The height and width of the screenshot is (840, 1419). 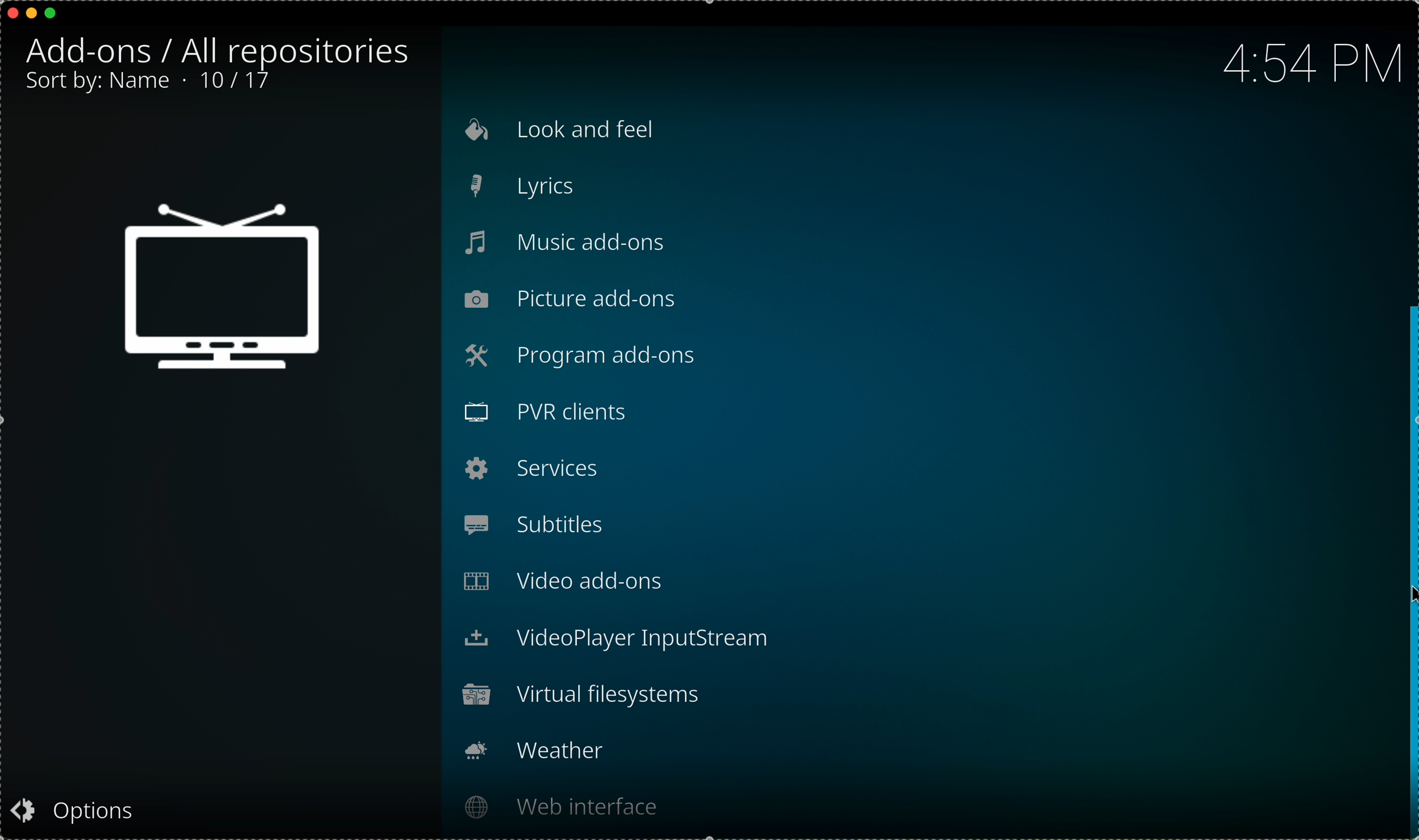 What do you see at coordinates (225, 294) in the screenshot?
I see `tv icon` at bounding box center [225, 294].